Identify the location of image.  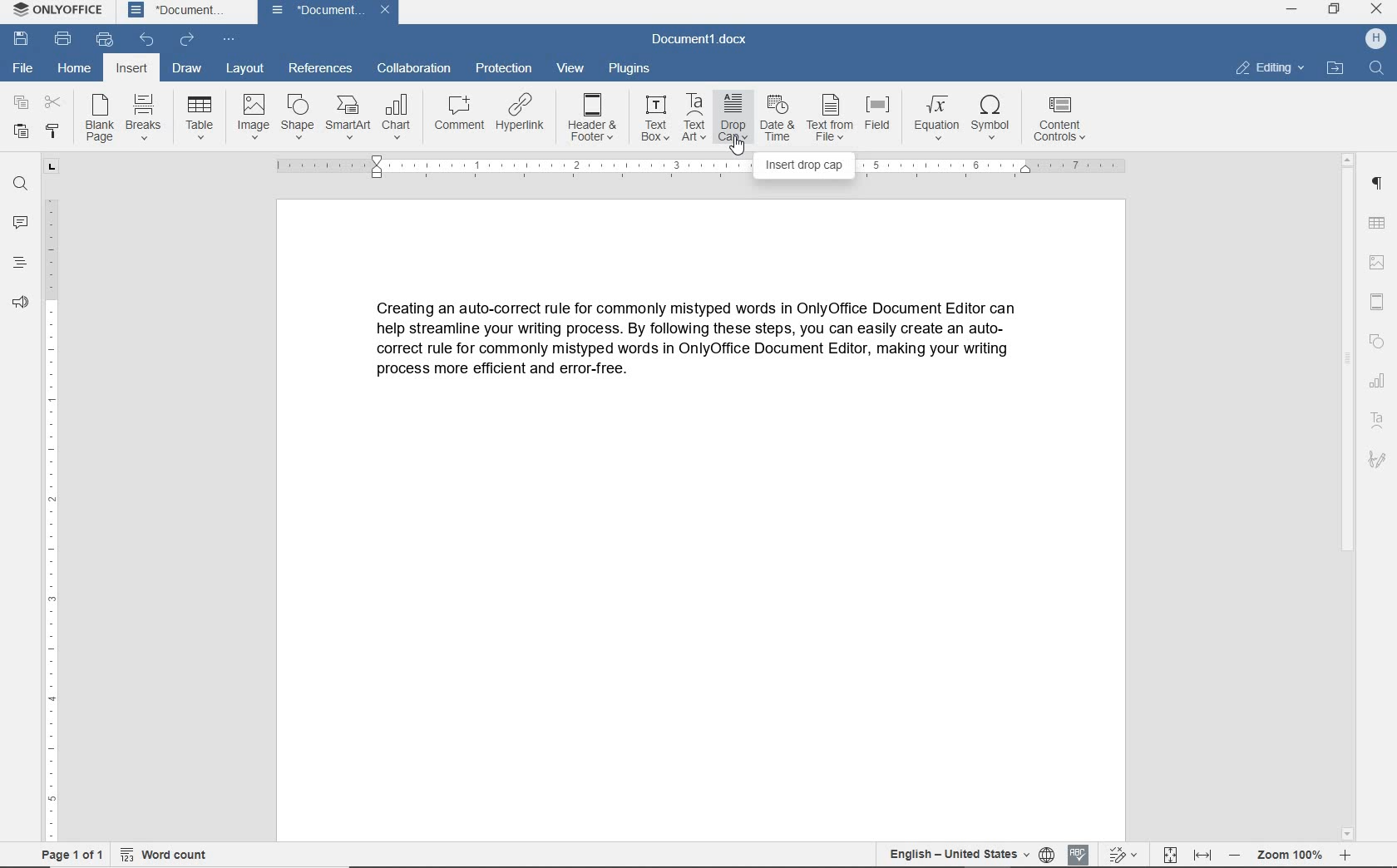
(253, 116).